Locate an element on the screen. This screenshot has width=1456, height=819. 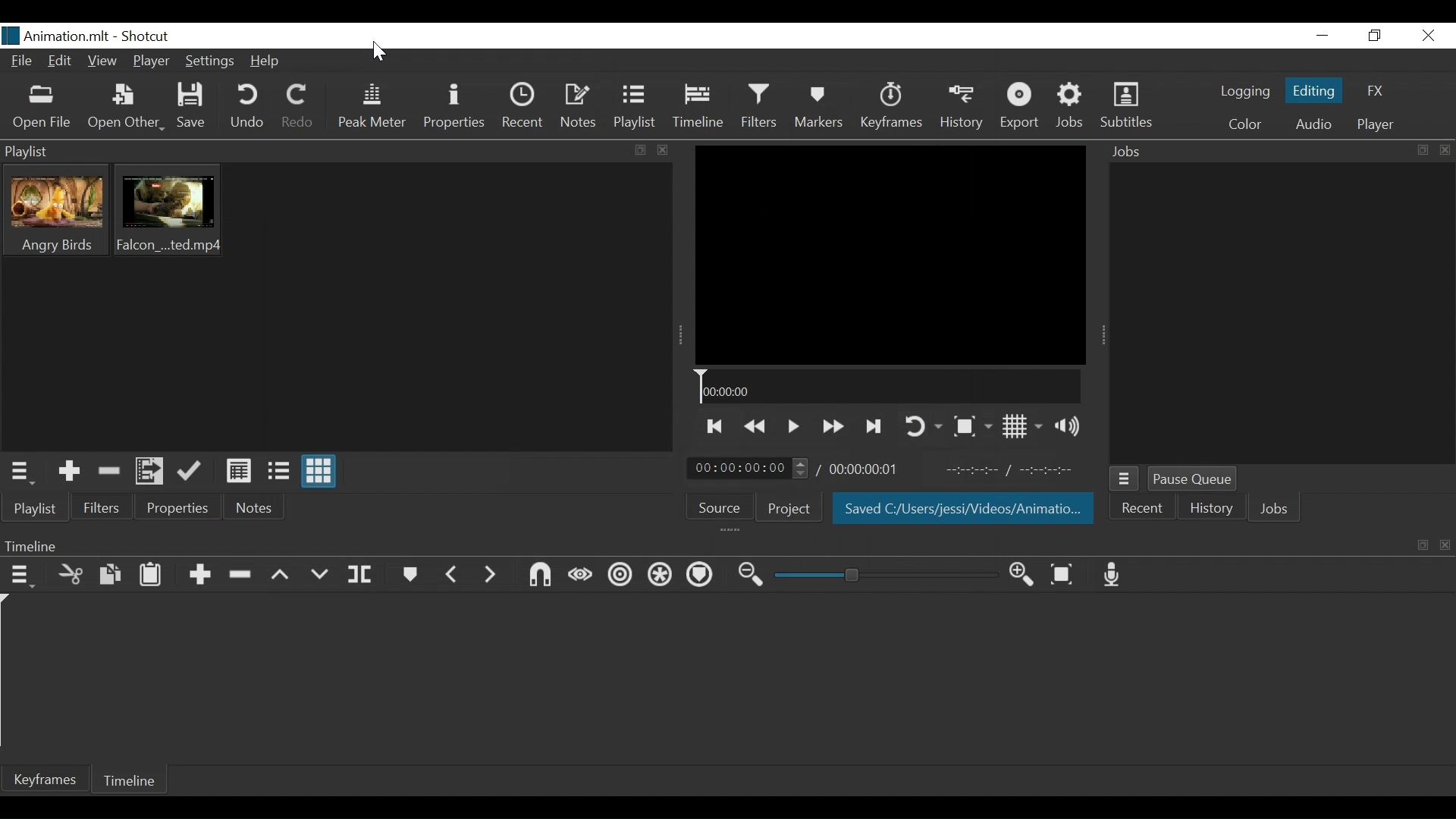
Cut is located at coordinates (71, 575).